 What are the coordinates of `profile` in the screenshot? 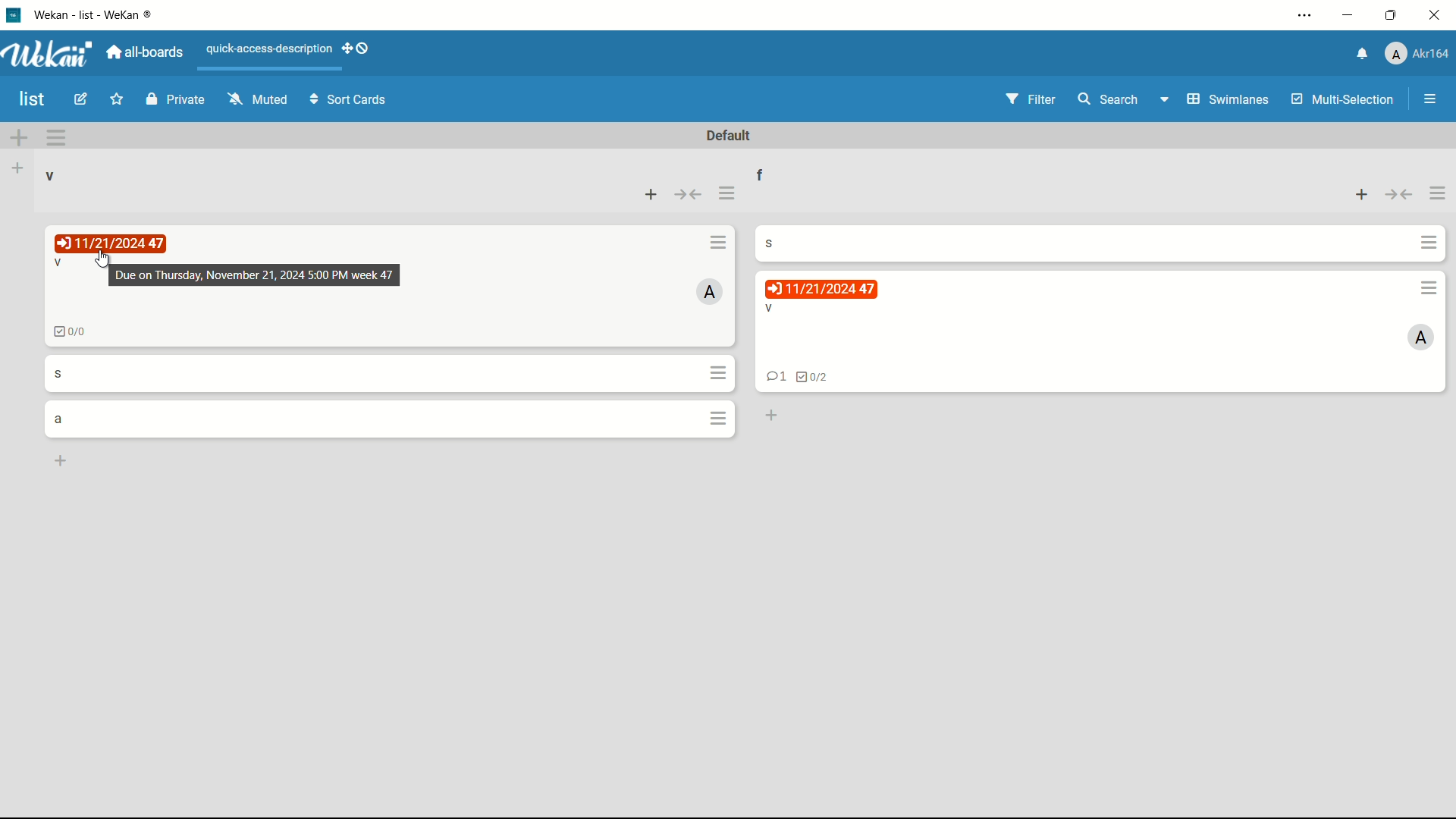 It's located at (1419, 54).